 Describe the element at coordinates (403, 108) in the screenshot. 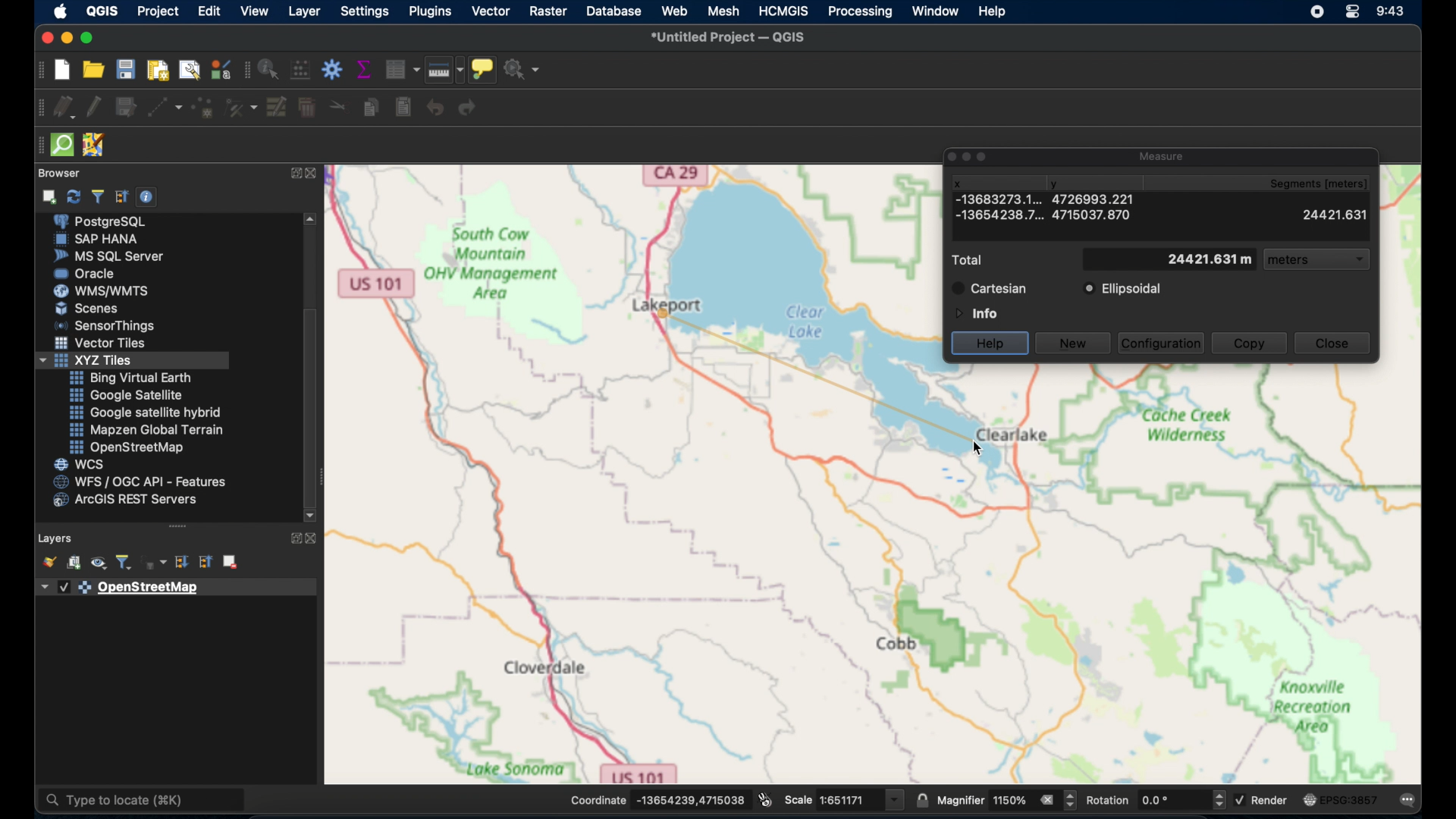

I see `paste features` at that location.